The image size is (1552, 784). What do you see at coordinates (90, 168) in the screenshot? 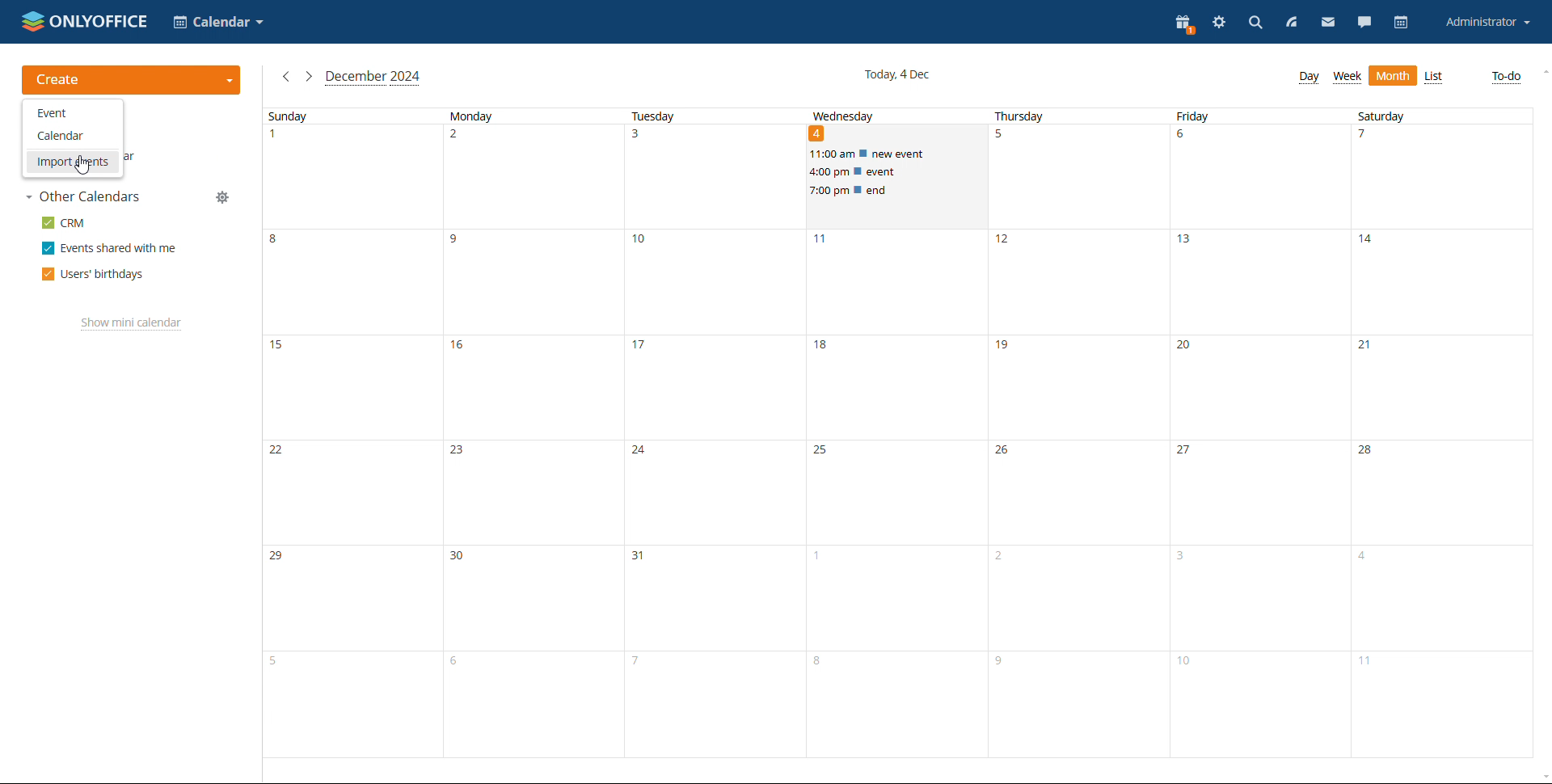
I see `cursor` at bounding box center [90, 168].